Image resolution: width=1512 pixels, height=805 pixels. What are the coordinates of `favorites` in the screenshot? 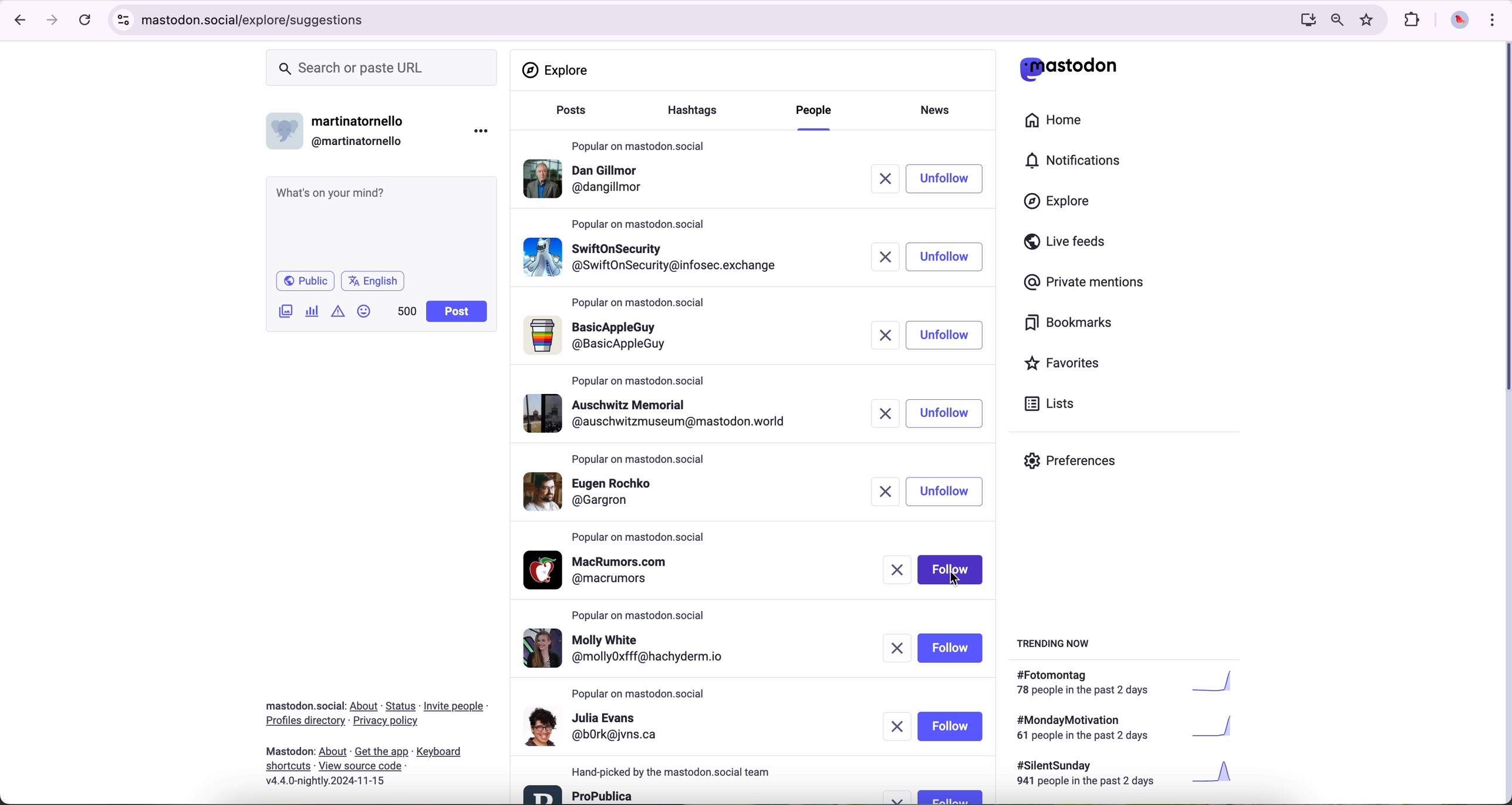 It's located at (1067, 365).